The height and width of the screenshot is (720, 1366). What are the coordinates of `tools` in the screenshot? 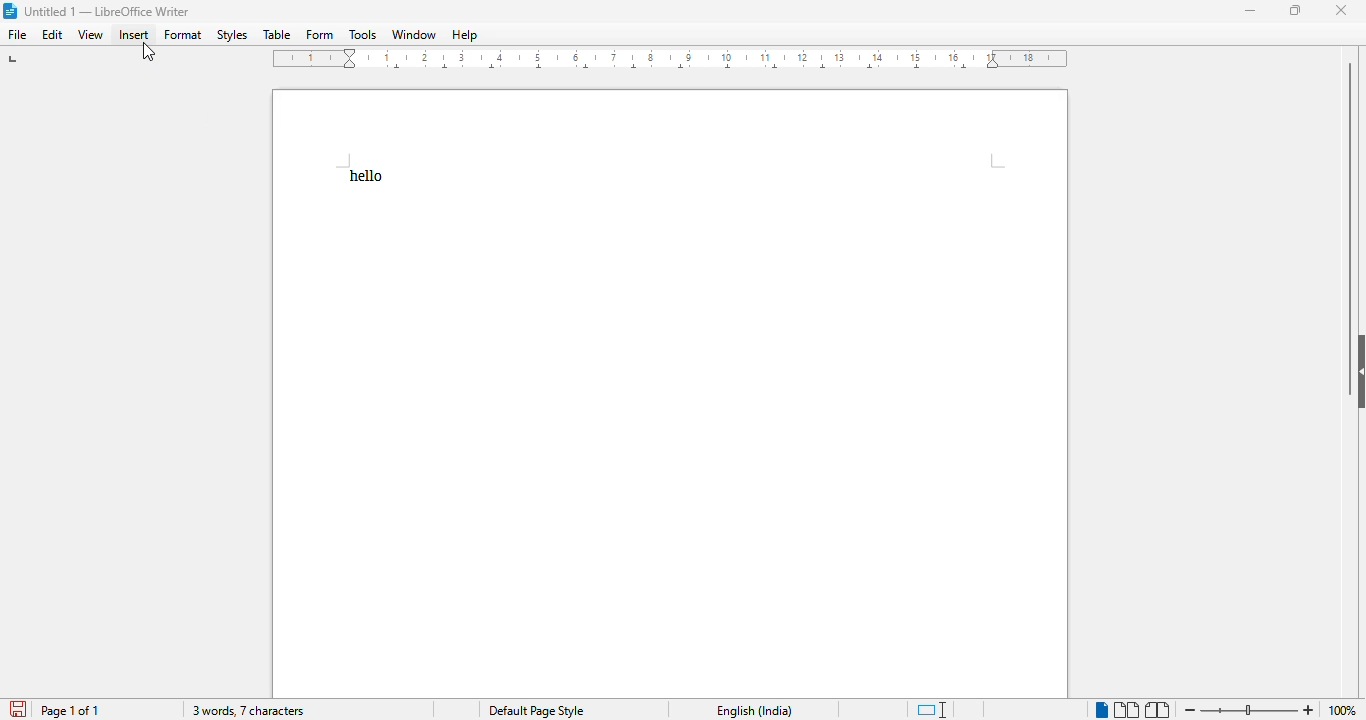 It's located at (362, 34).